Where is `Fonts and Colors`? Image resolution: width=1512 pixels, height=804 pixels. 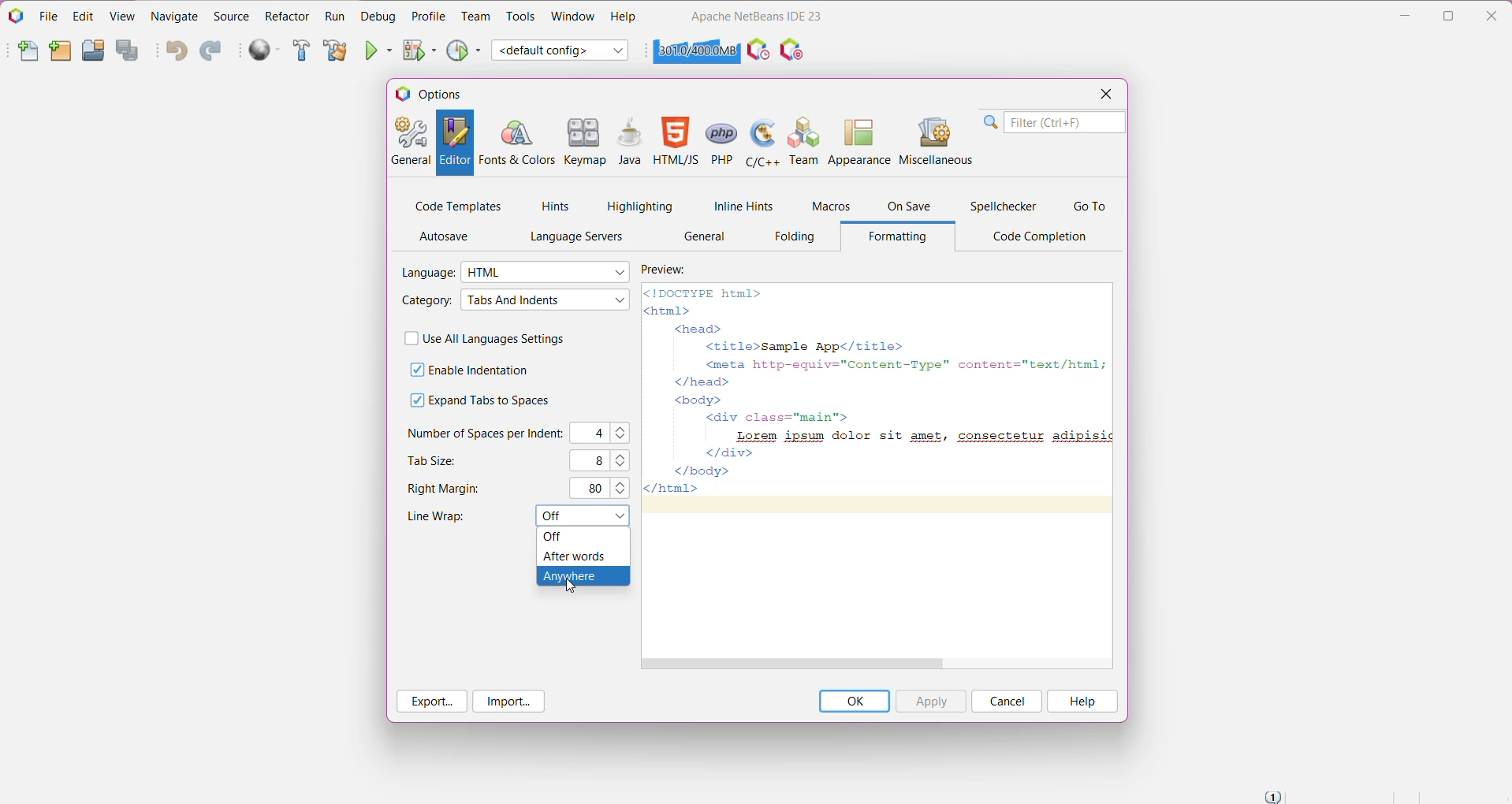 Fonts and Colors is located at coordinates (516, 143).